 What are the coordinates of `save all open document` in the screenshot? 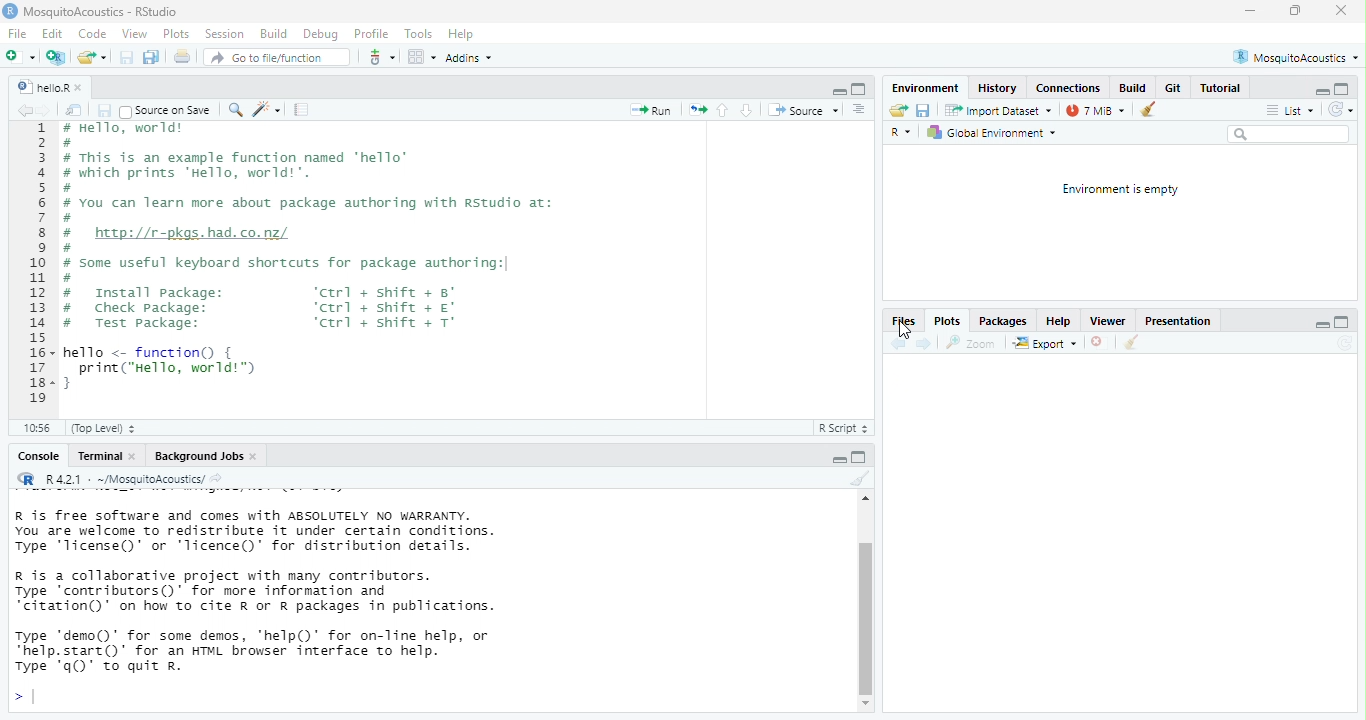 It's located at (153, 57).